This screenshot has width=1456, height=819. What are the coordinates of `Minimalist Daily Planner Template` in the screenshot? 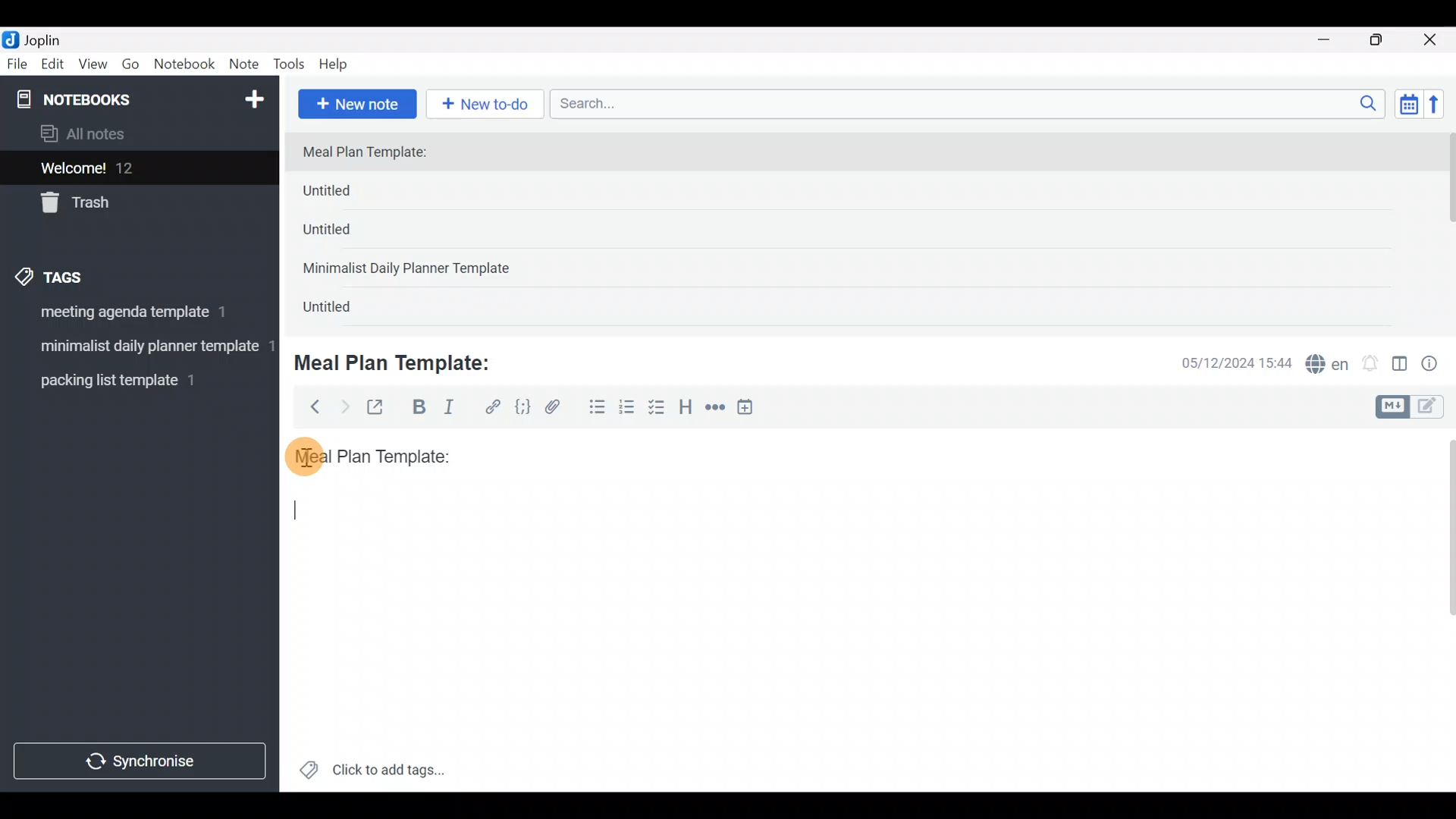 It's located at (411, 270).